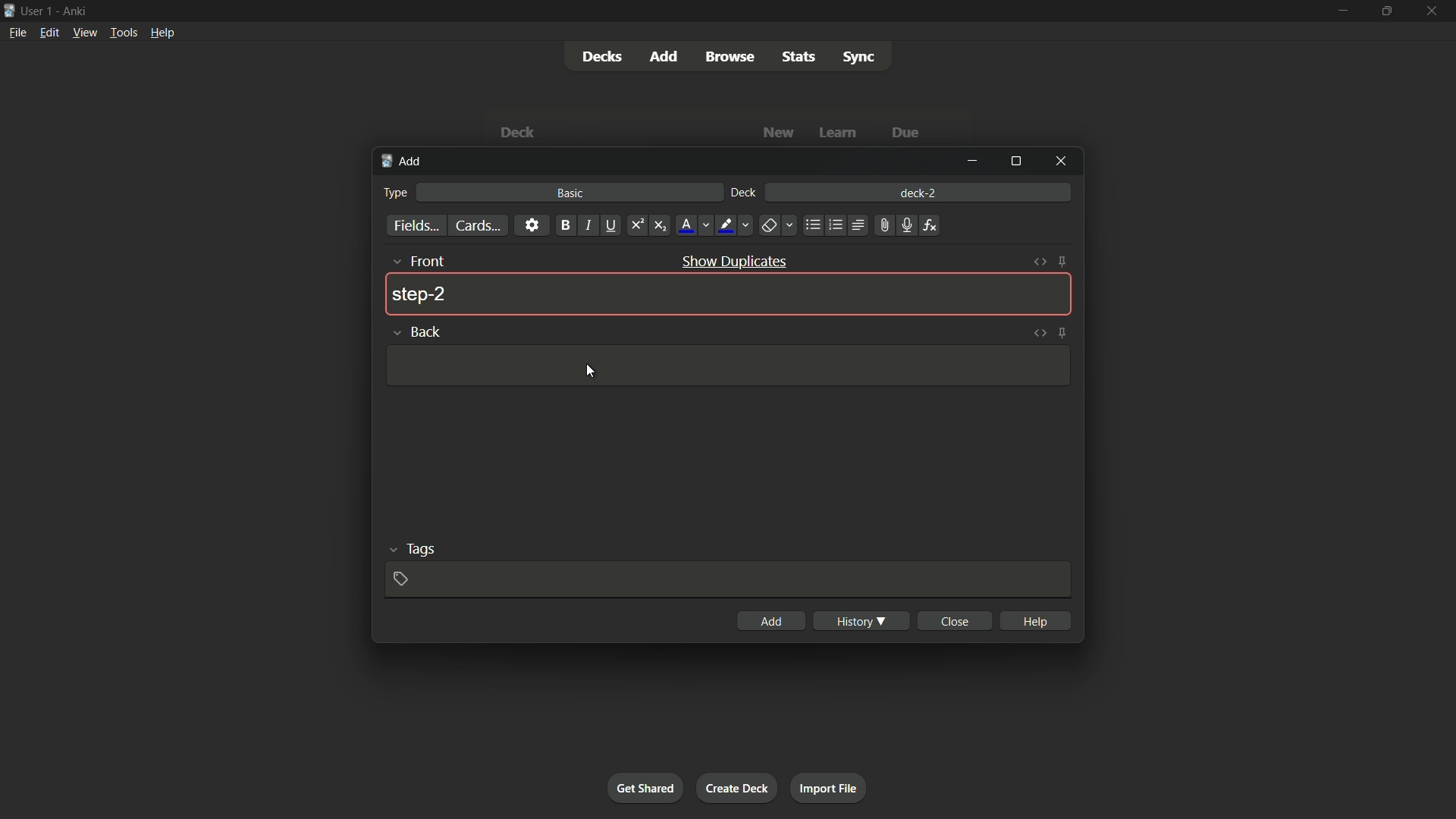 The image size is (1456, 819). I want to click on remove formatting, so click(777, 226).